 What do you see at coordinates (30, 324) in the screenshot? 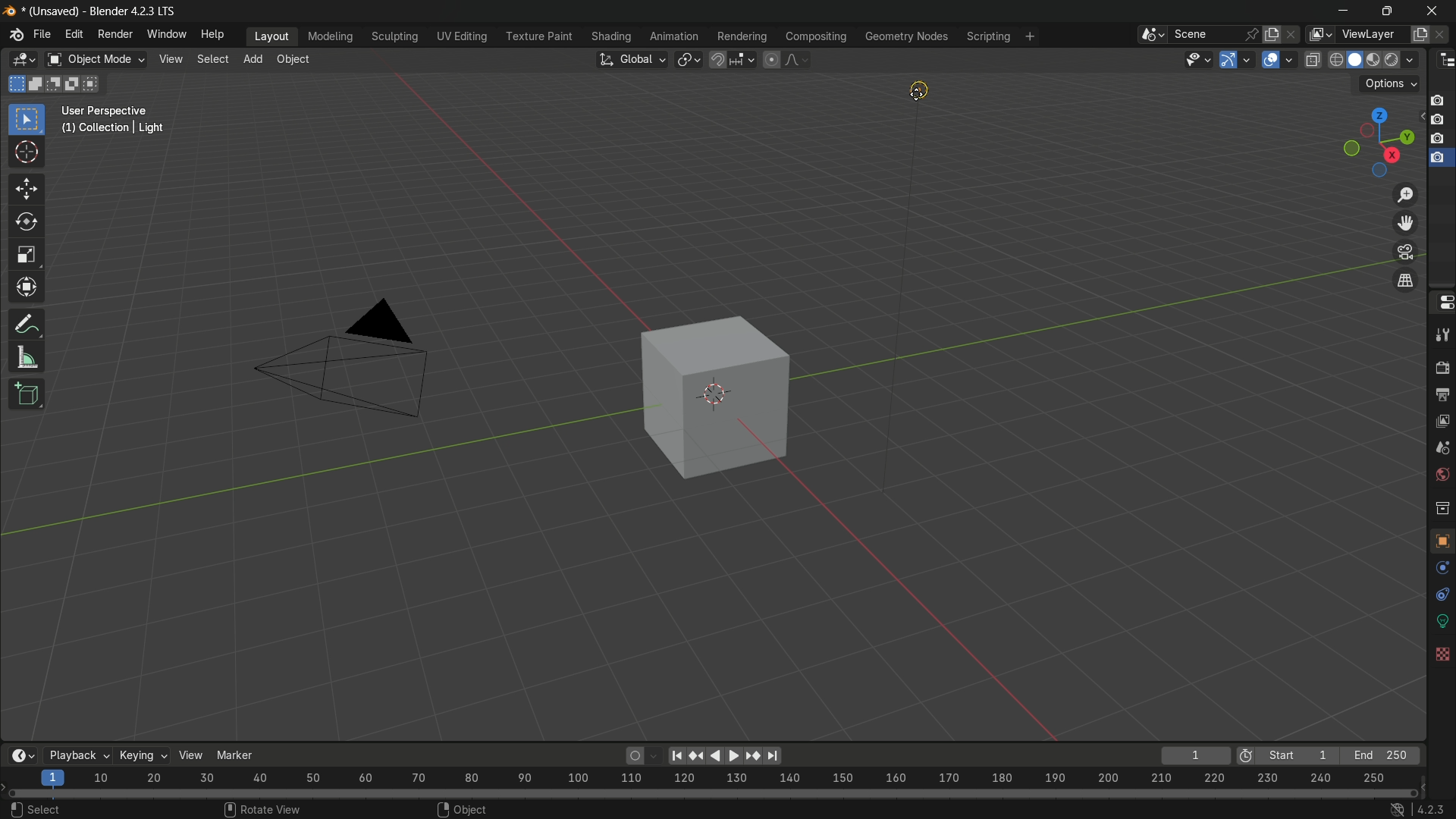
I see `annotate` at bounding box center [30, 324].